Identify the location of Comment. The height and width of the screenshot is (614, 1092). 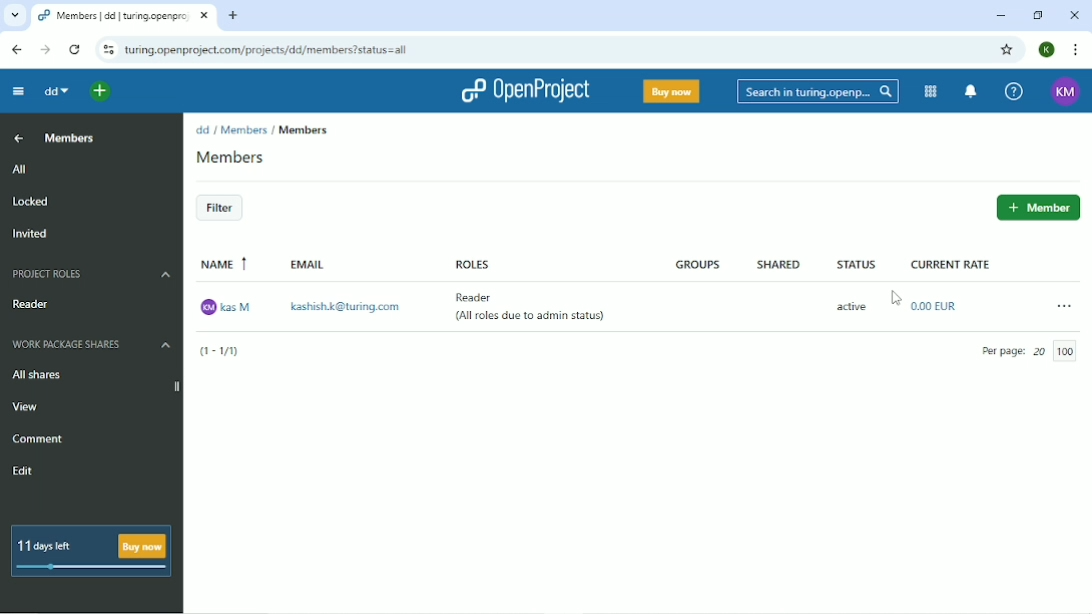
(38, 439).